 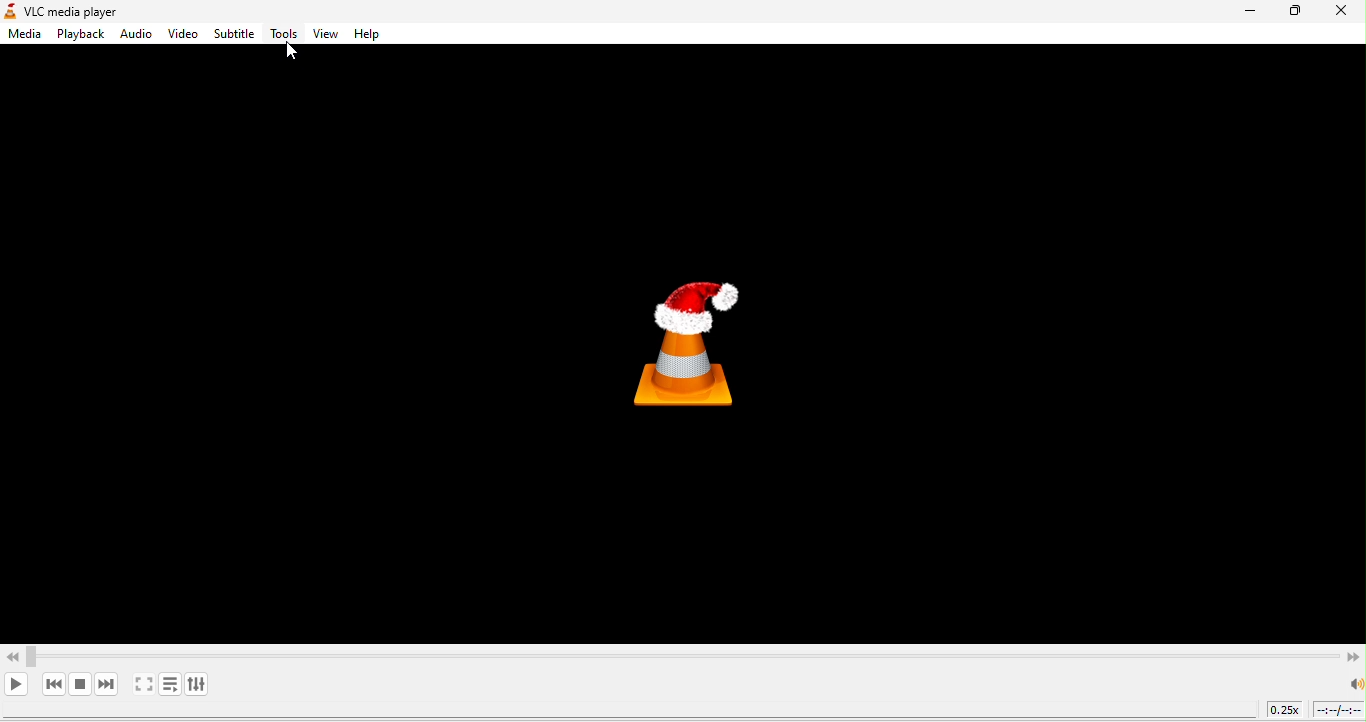 What do you see at coordinates (171, 684) in the screenshot?
I see `toggle playlist` at bounding box center [171, 684].